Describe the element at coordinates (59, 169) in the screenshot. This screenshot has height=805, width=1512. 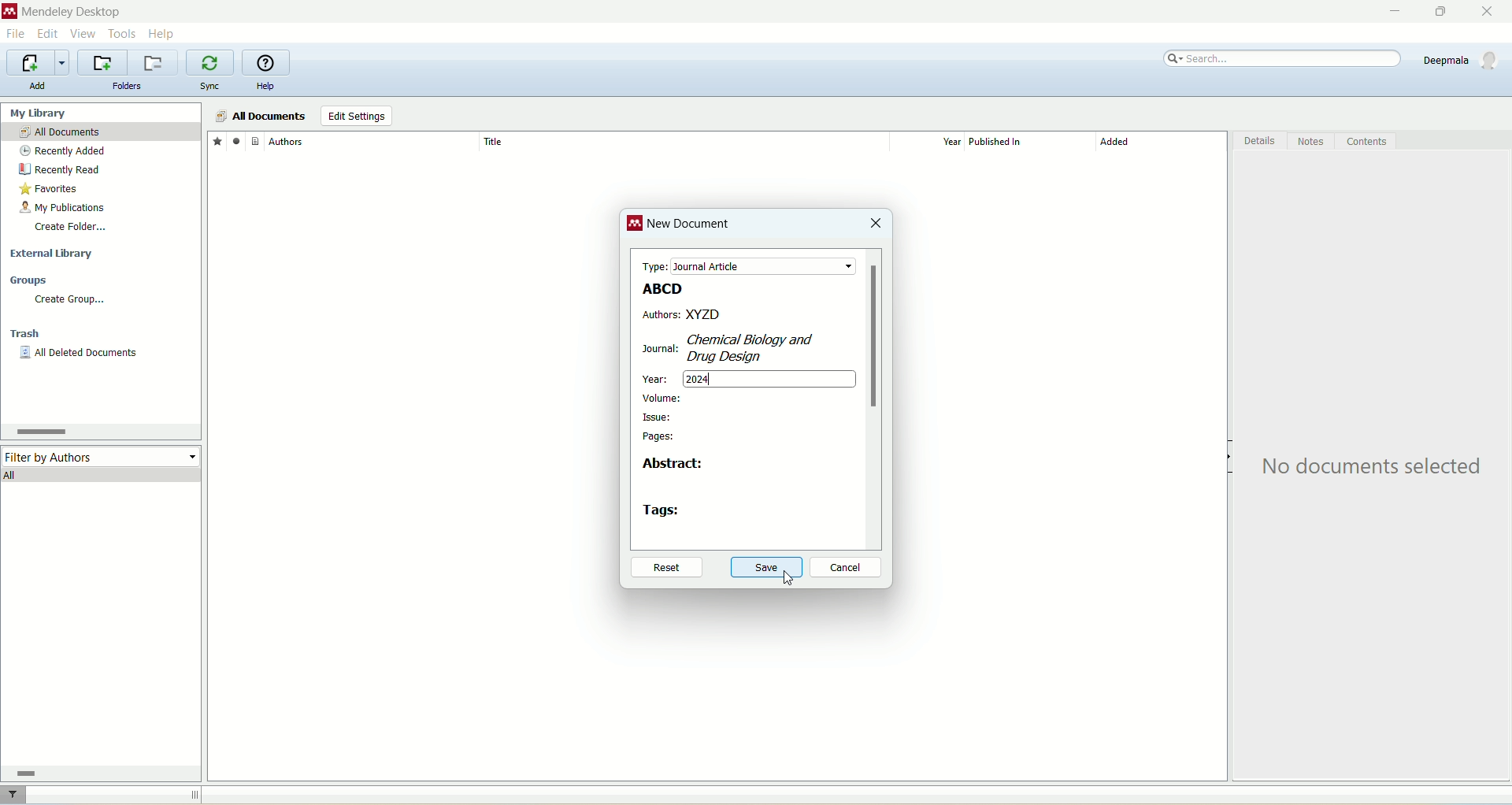
I see `recently read` at that location.